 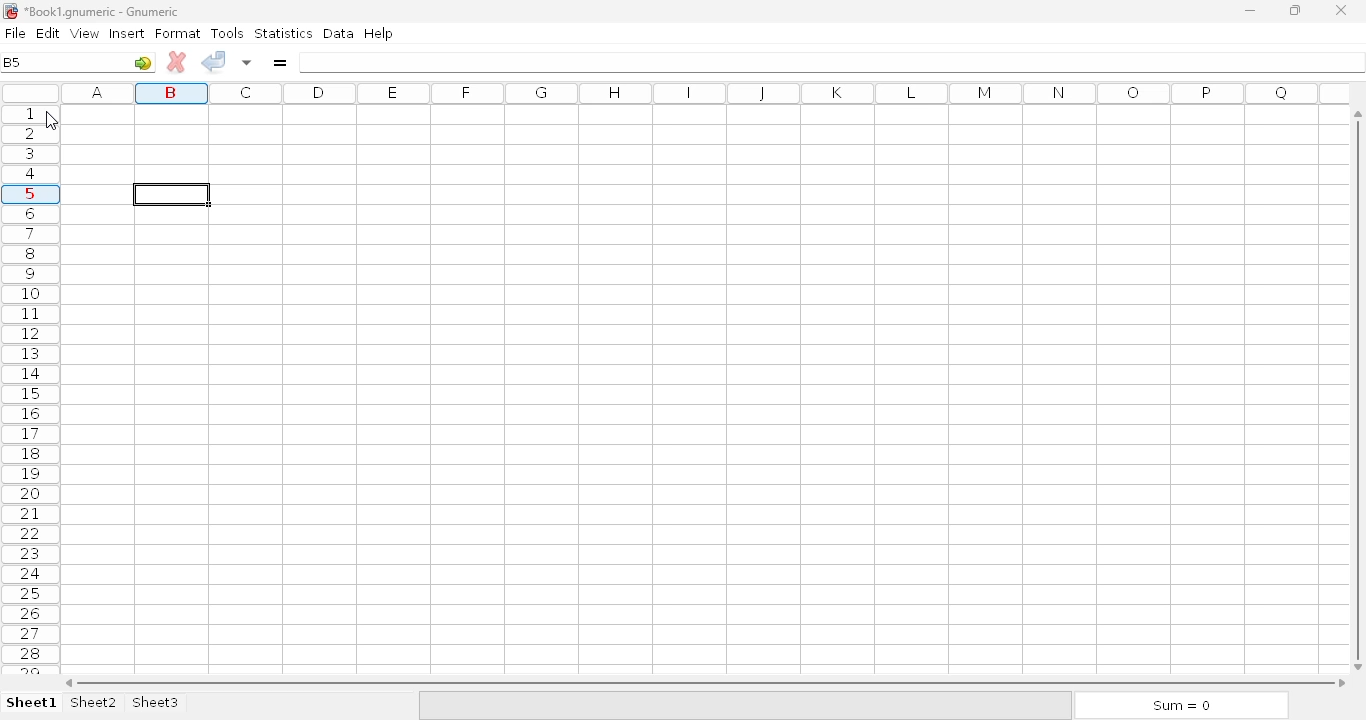 What do you see at coordinates (51, 121) in the screenshot?
I see `cursor` at bounding box center [51, 121].